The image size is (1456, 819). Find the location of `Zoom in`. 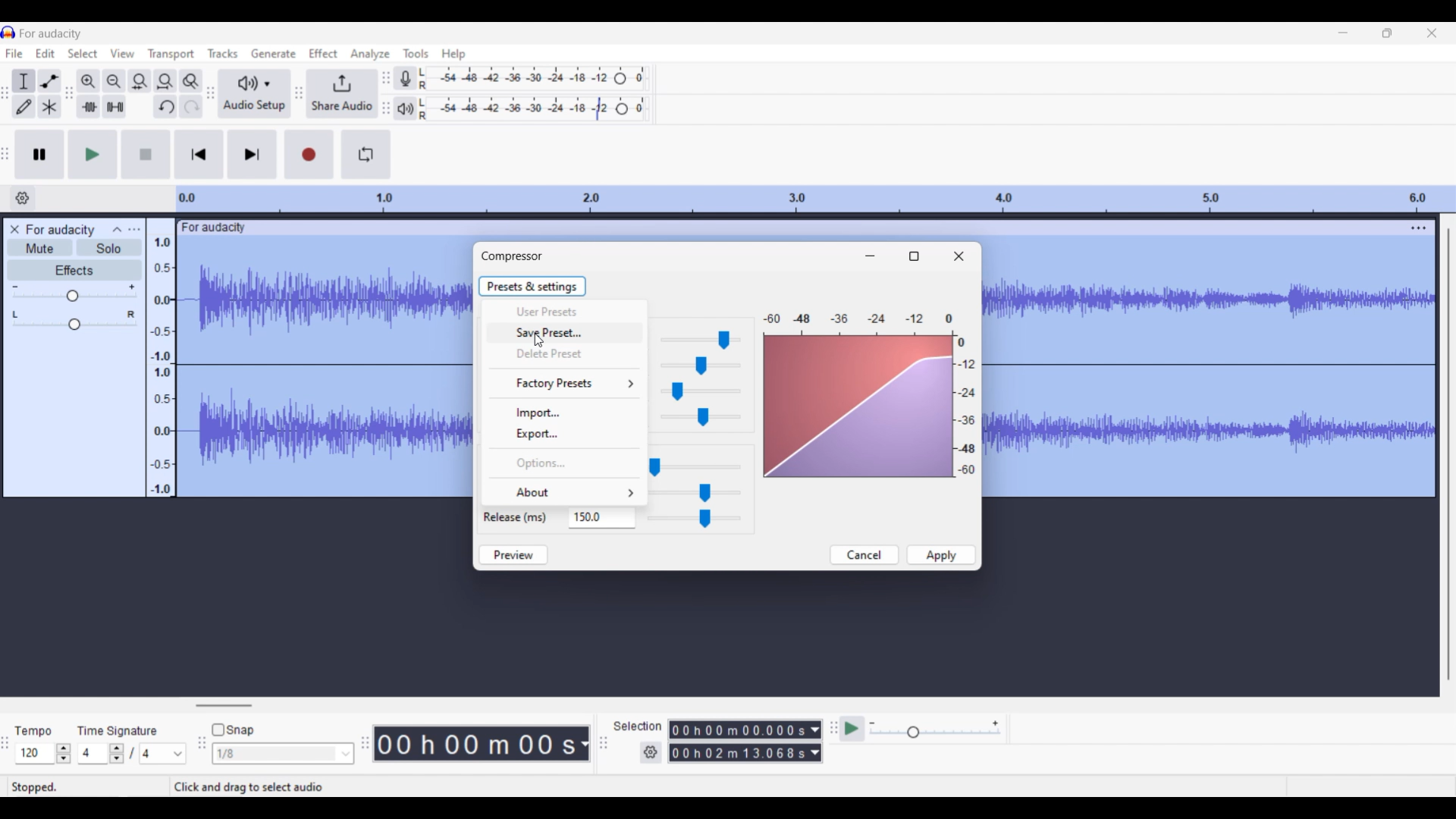

Zoom in is located at coordinates (89, 81).